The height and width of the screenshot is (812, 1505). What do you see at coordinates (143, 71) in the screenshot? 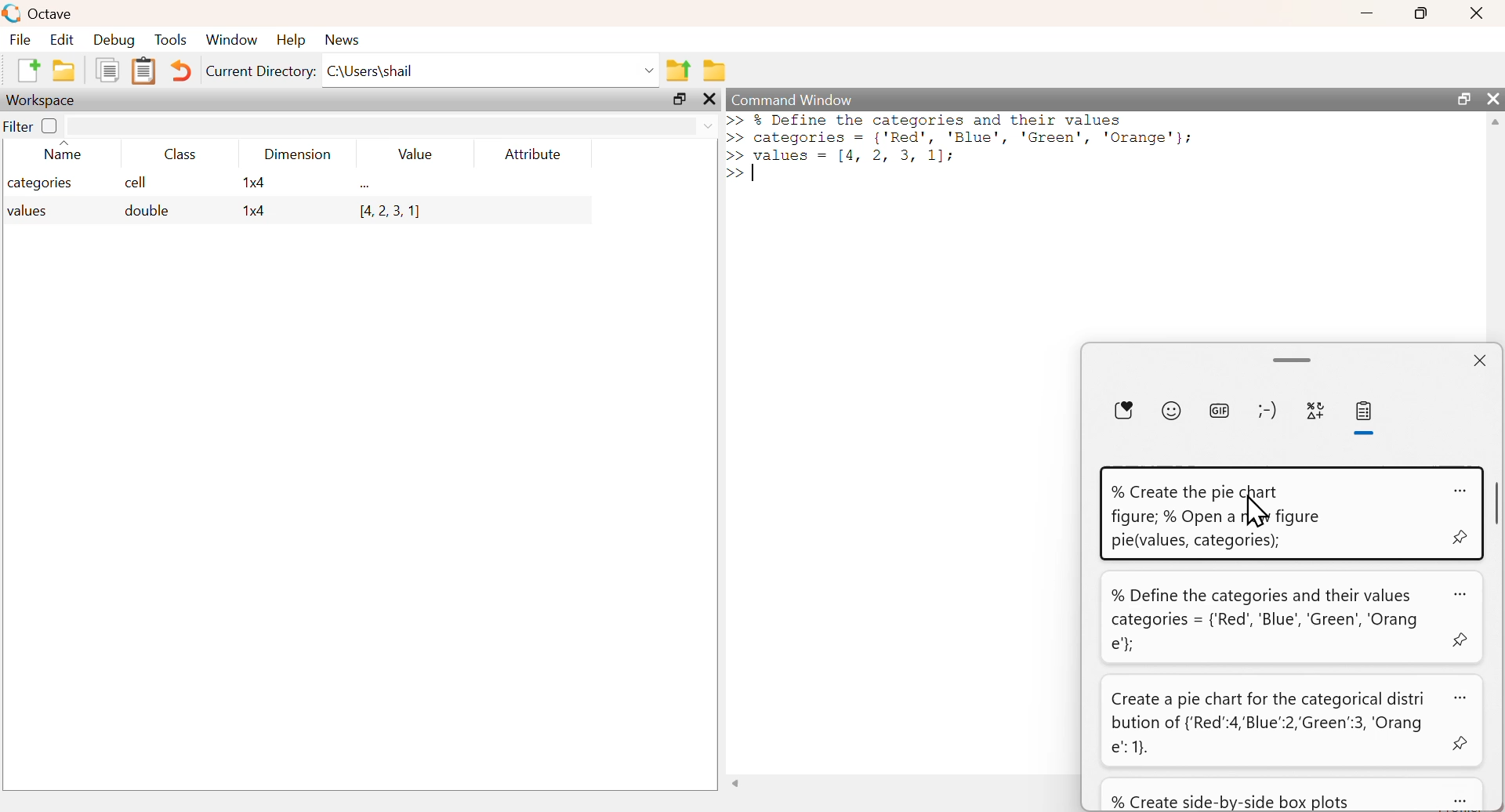
I see `Clipboard` at bounding box center [143, 71].